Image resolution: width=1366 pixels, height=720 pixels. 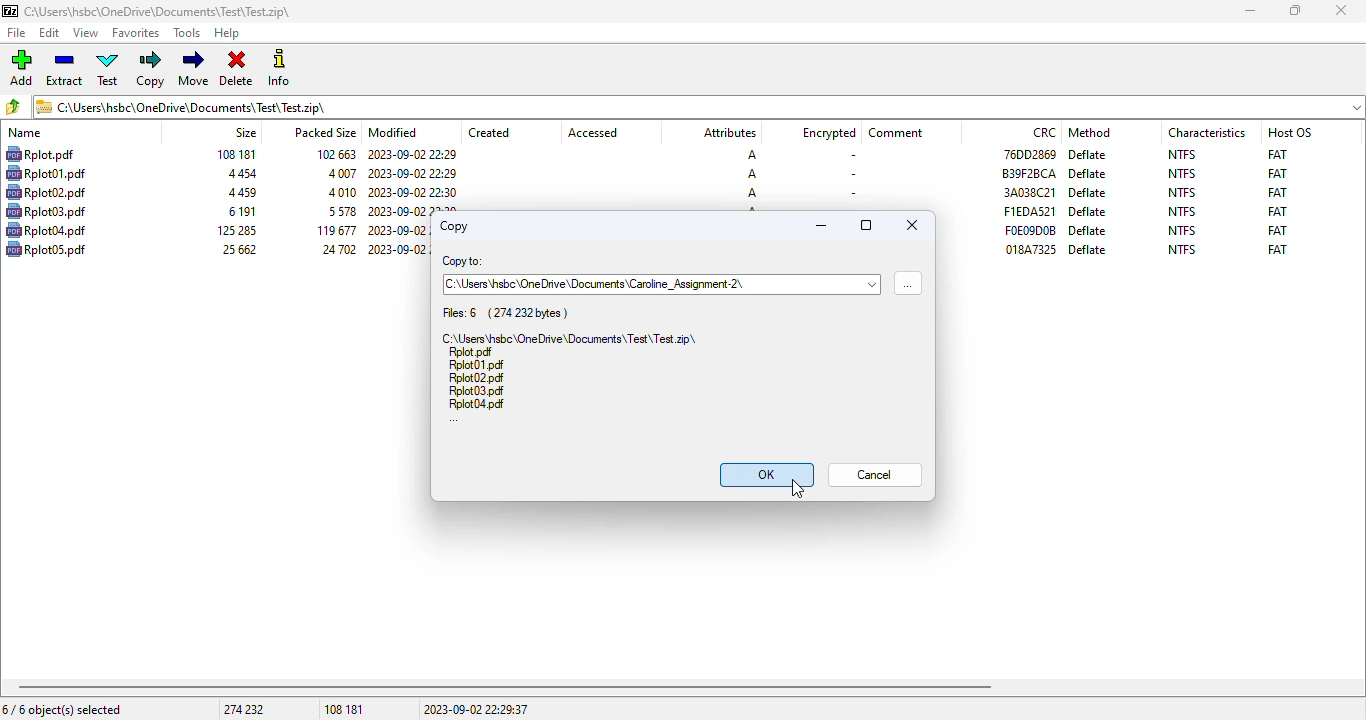 What do you see at coordinates (243, 709) in the screenshot?
I see `274 232` at bounding box center [243, 709].